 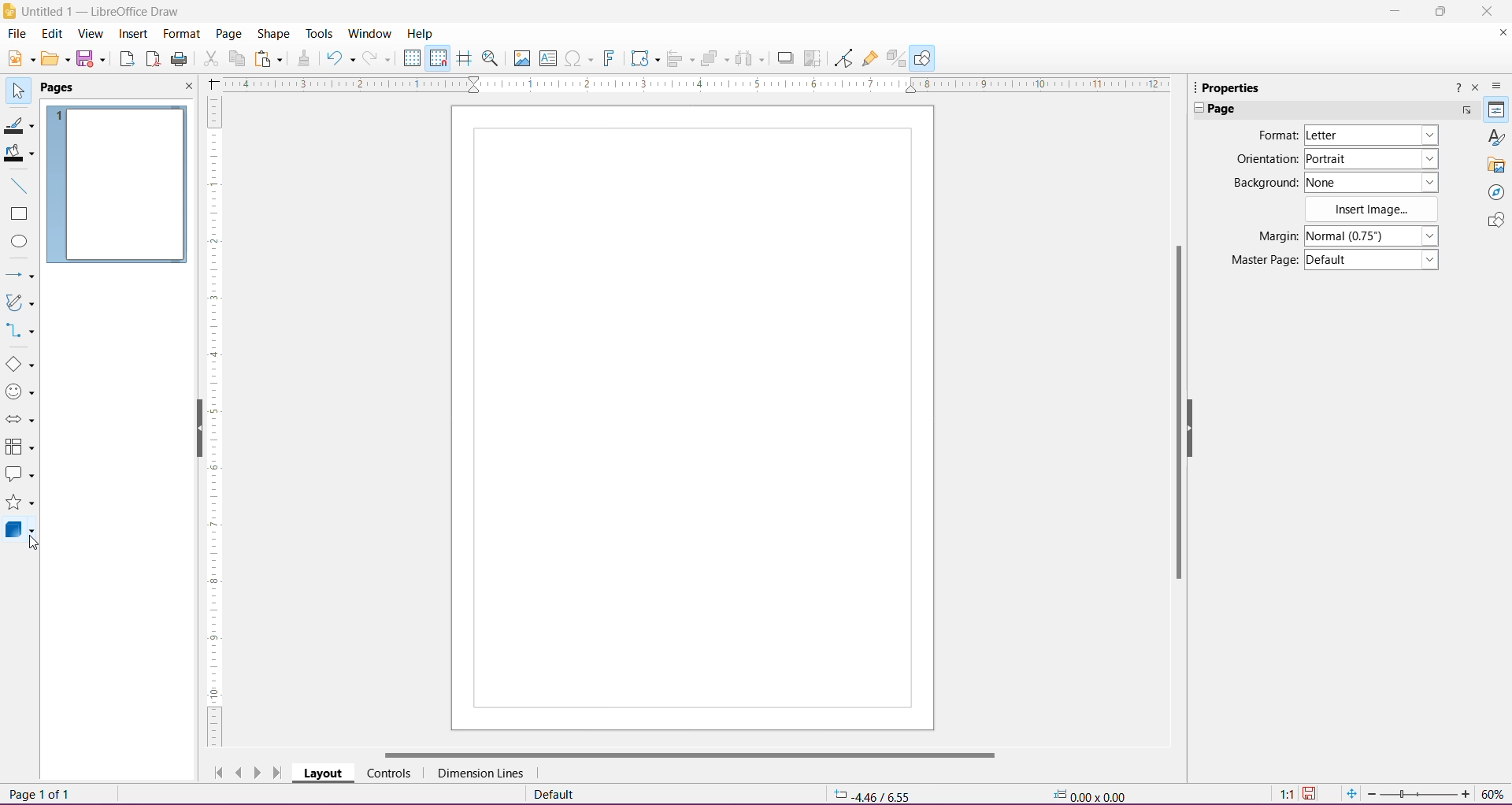 I want to click on Gallery, so click(x=1496, y=165).